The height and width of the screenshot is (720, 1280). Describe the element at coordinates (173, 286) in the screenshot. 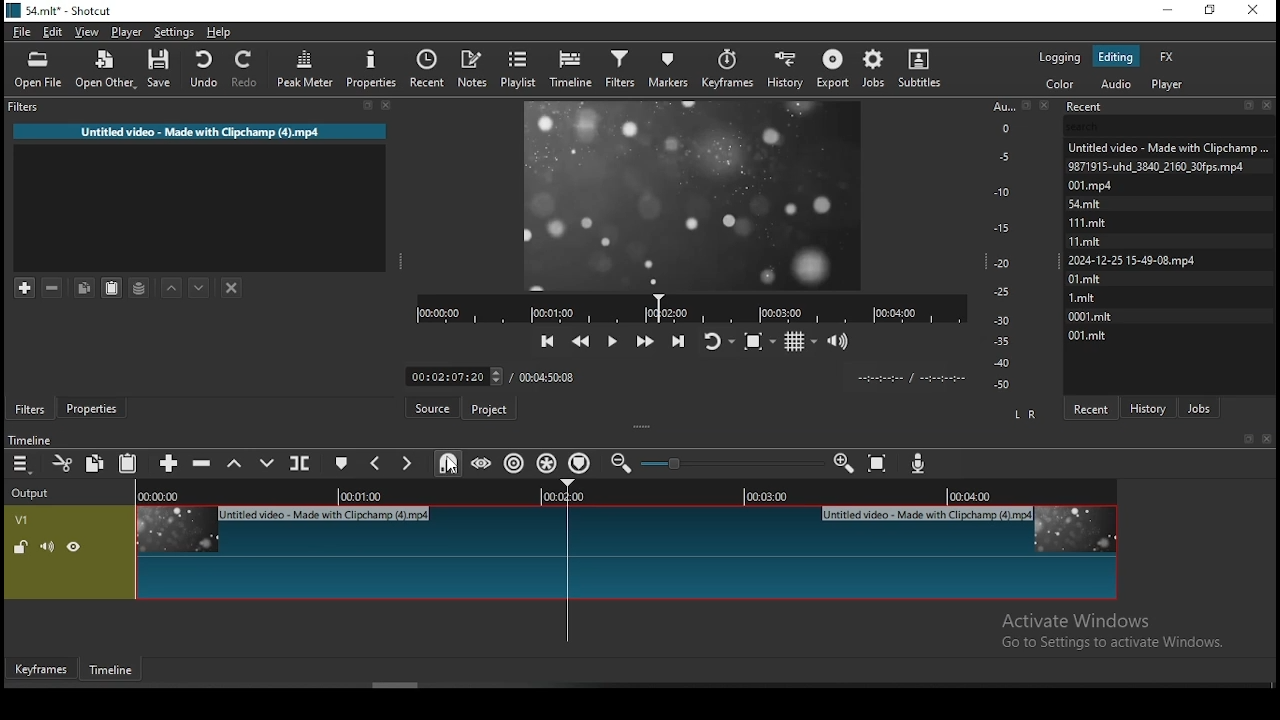

I see `move filter up` at that location.